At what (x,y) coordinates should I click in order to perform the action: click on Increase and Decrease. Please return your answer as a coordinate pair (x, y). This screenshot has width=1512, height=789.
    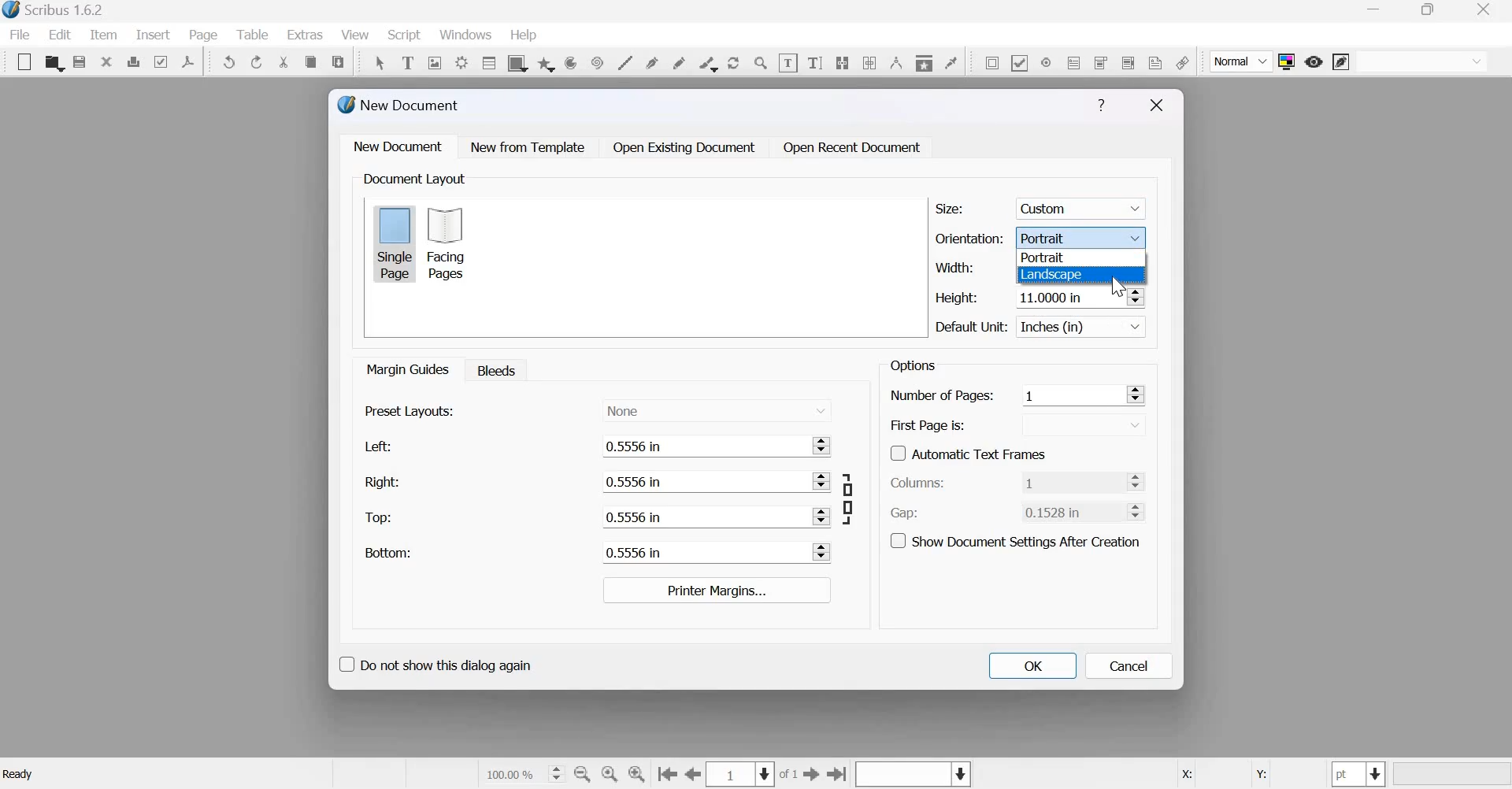
    Looking at the image, I should click on (821, 516).